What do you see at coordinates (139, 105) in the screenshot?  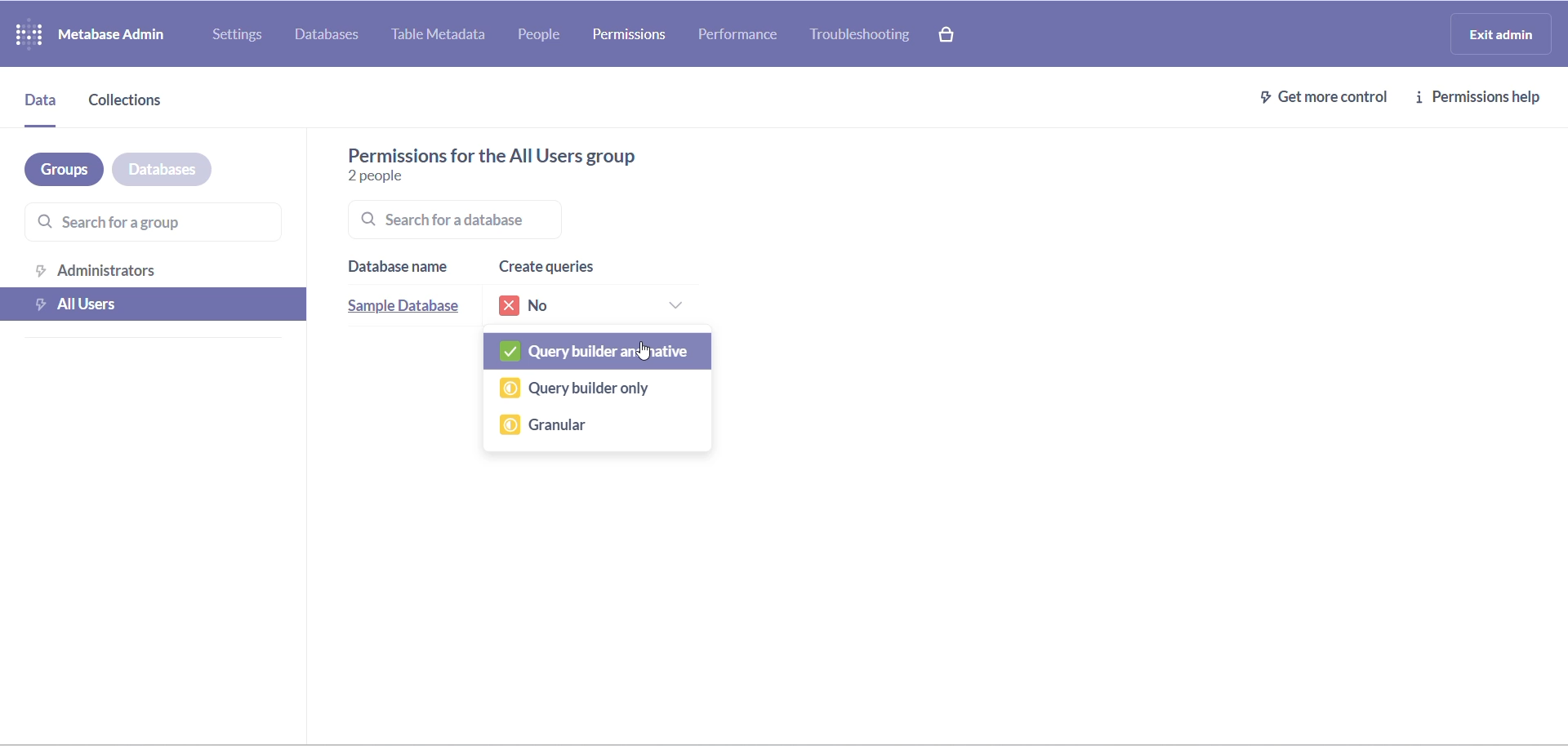 I see `collections` at bounding box center [139, 105].